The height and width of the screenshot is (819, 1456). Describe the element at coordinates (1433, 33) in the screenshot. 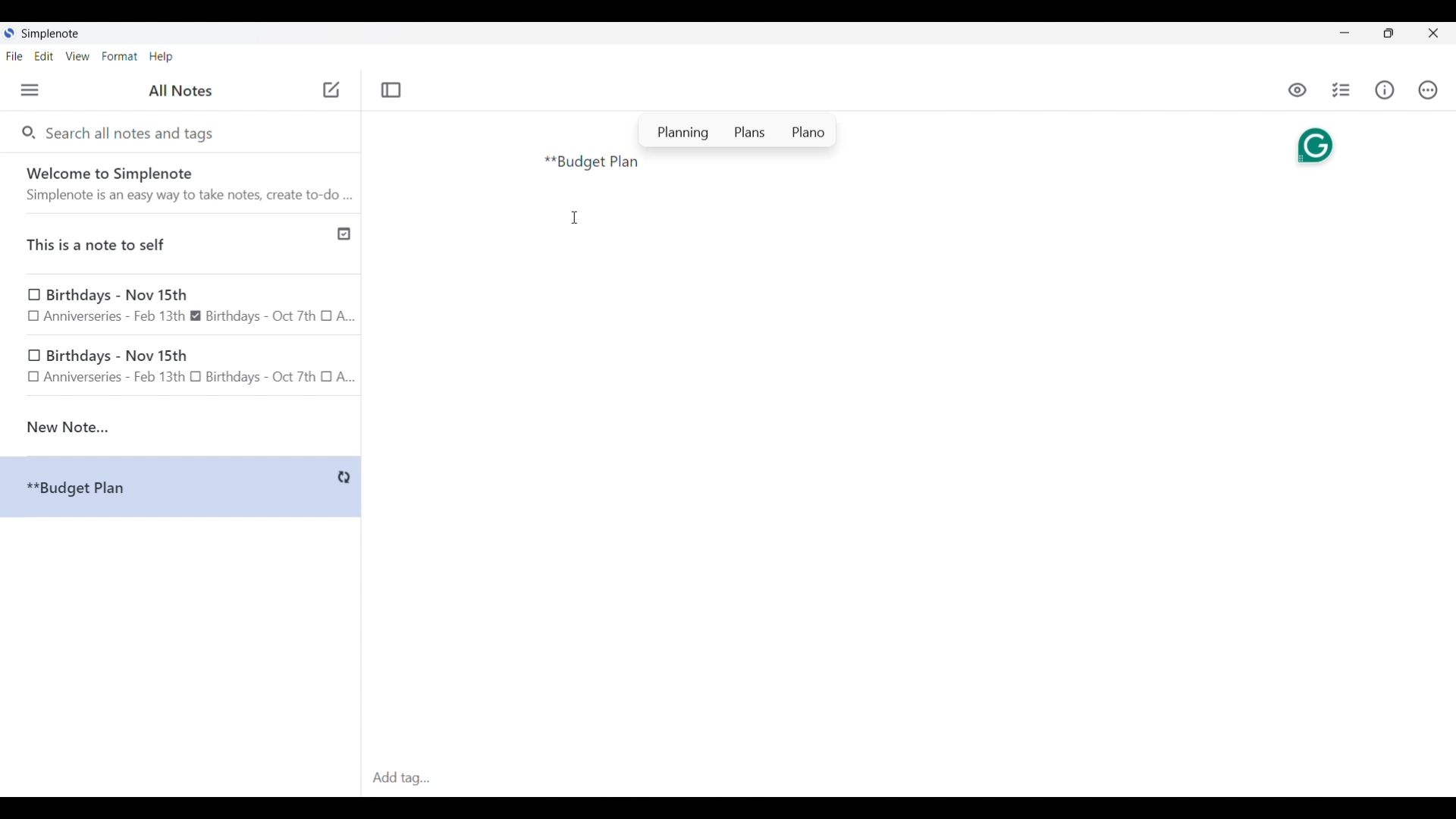

I see `Close interface` at that location.